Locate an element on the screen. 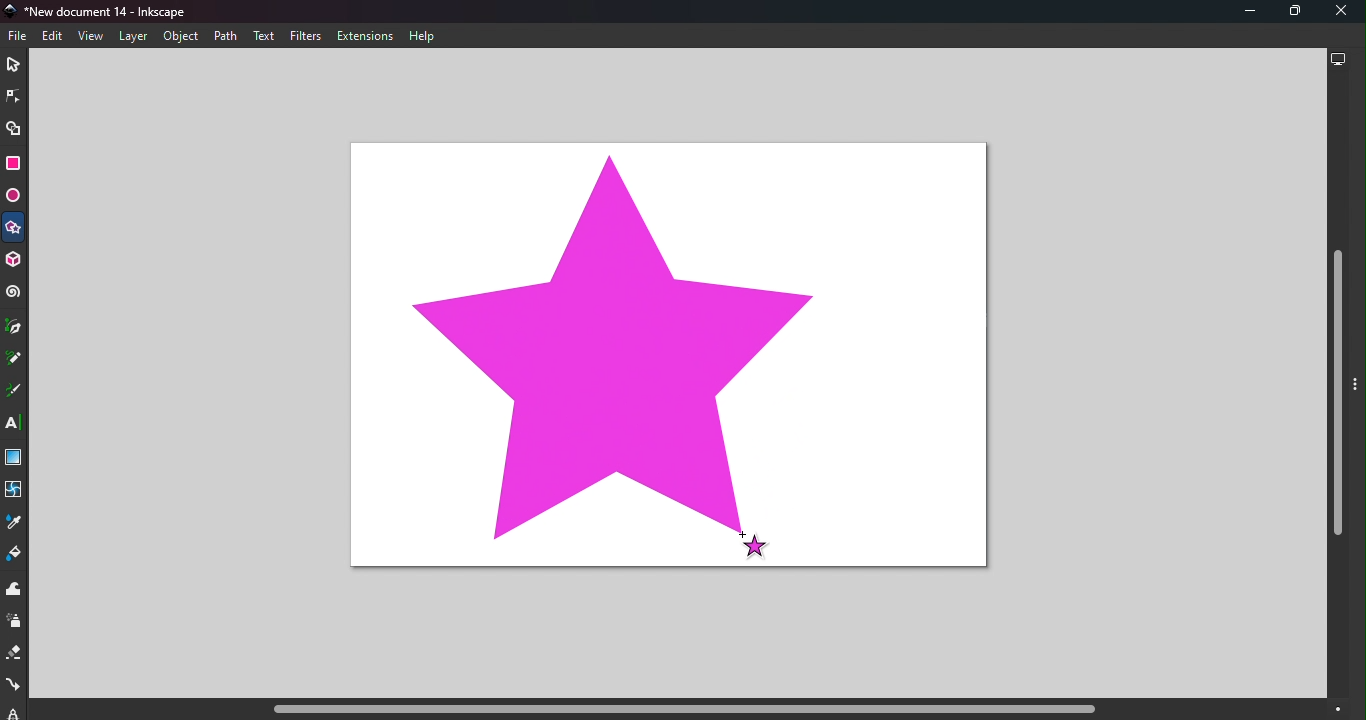  Close is located at coordinates (1342, 12).